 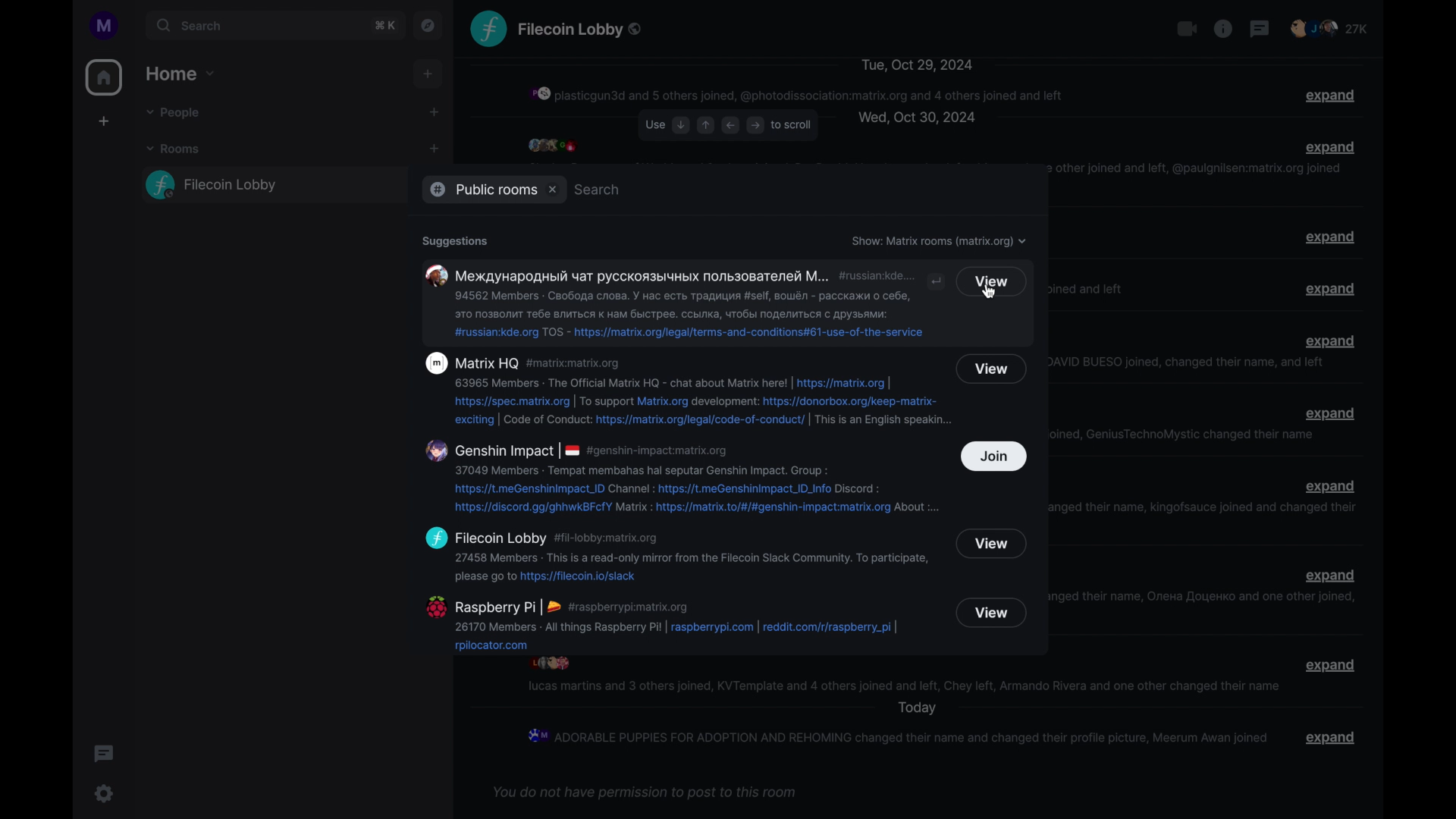 What do you see at coordinates (1095, 289) in the screenshot?
I see ` johnny06 and 3 others joined, plasticgun3d and 2 others left, farmhouse817 and one other joined and left` at bounding box center [1095, 289].